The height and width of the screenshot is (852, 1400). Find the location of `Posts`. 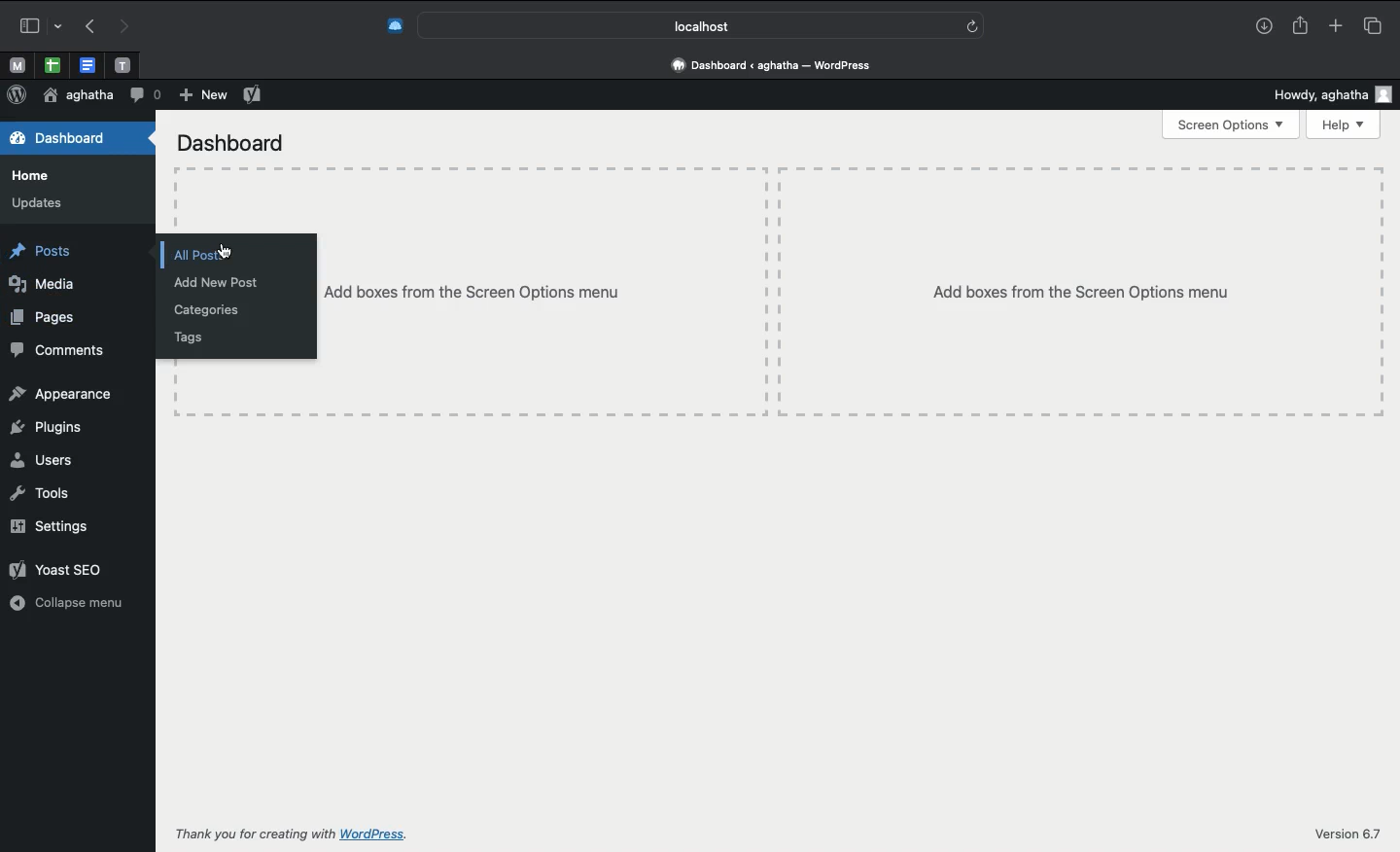

Posts is located at coordinates (39, 248).